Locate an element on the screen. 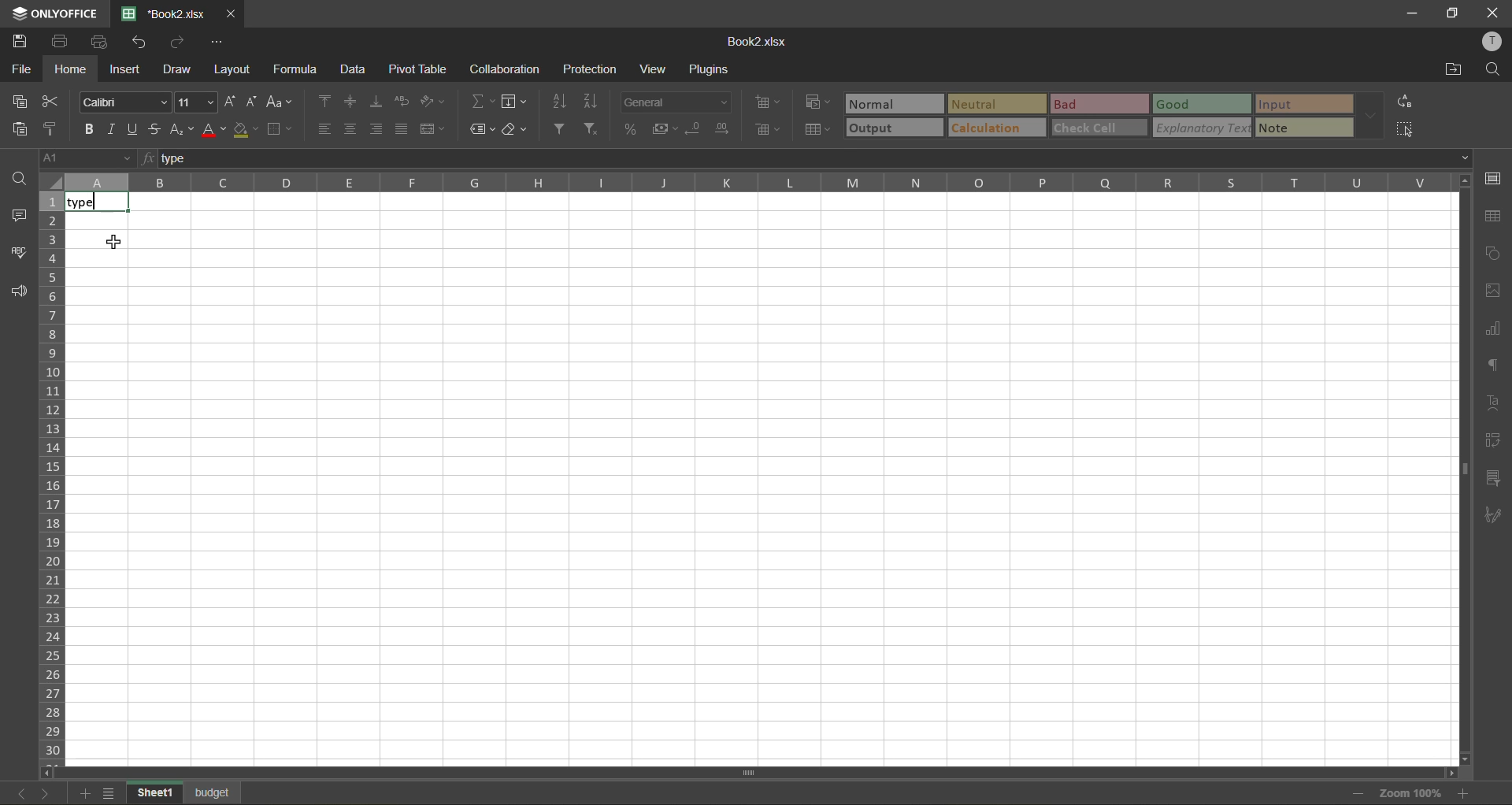  orientation is located at coordinates (433, 101).